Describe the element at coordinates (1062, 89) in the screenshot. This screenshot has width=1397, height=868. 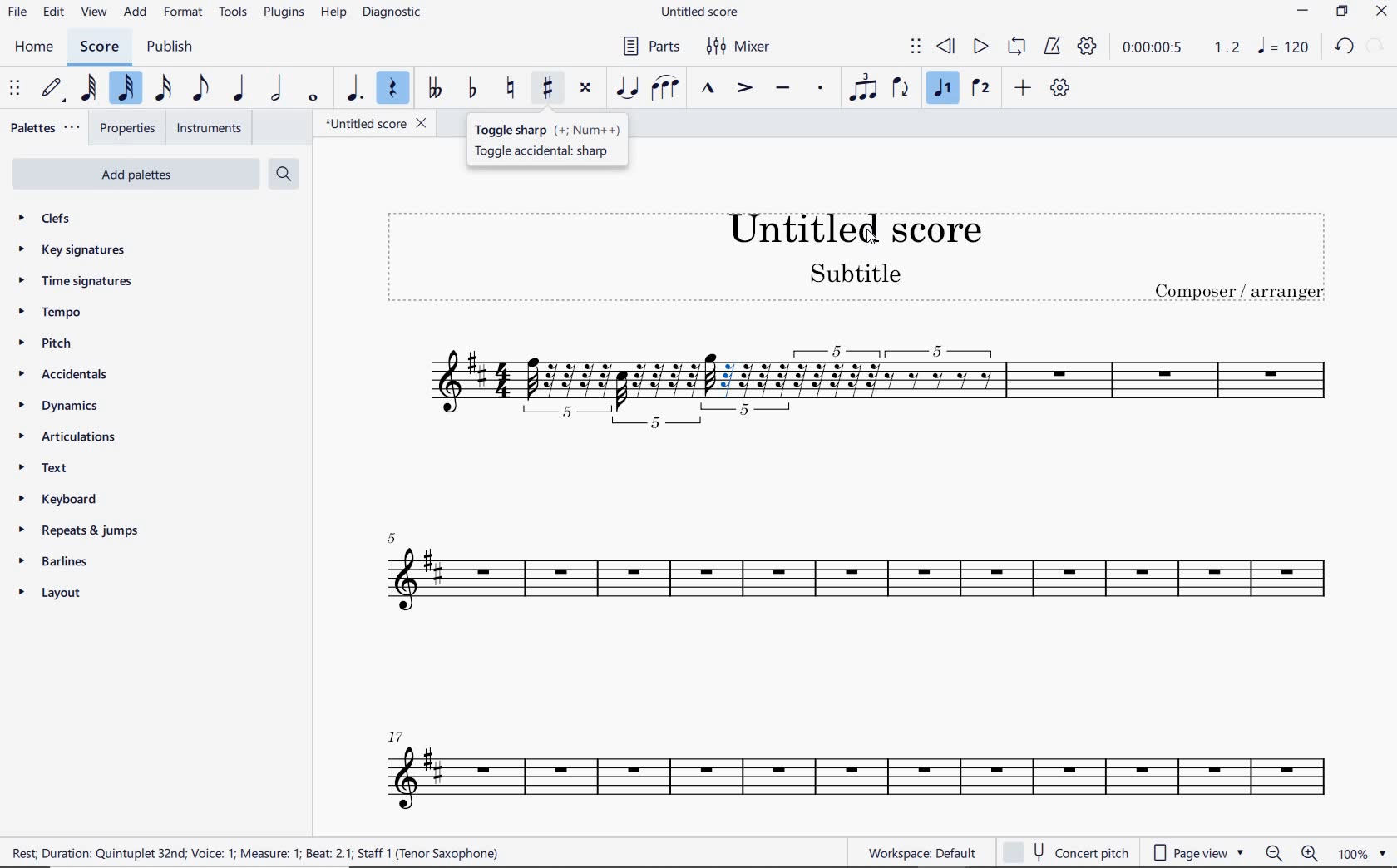
I see `CUSTOMIZE TOOLBAR` at that location.